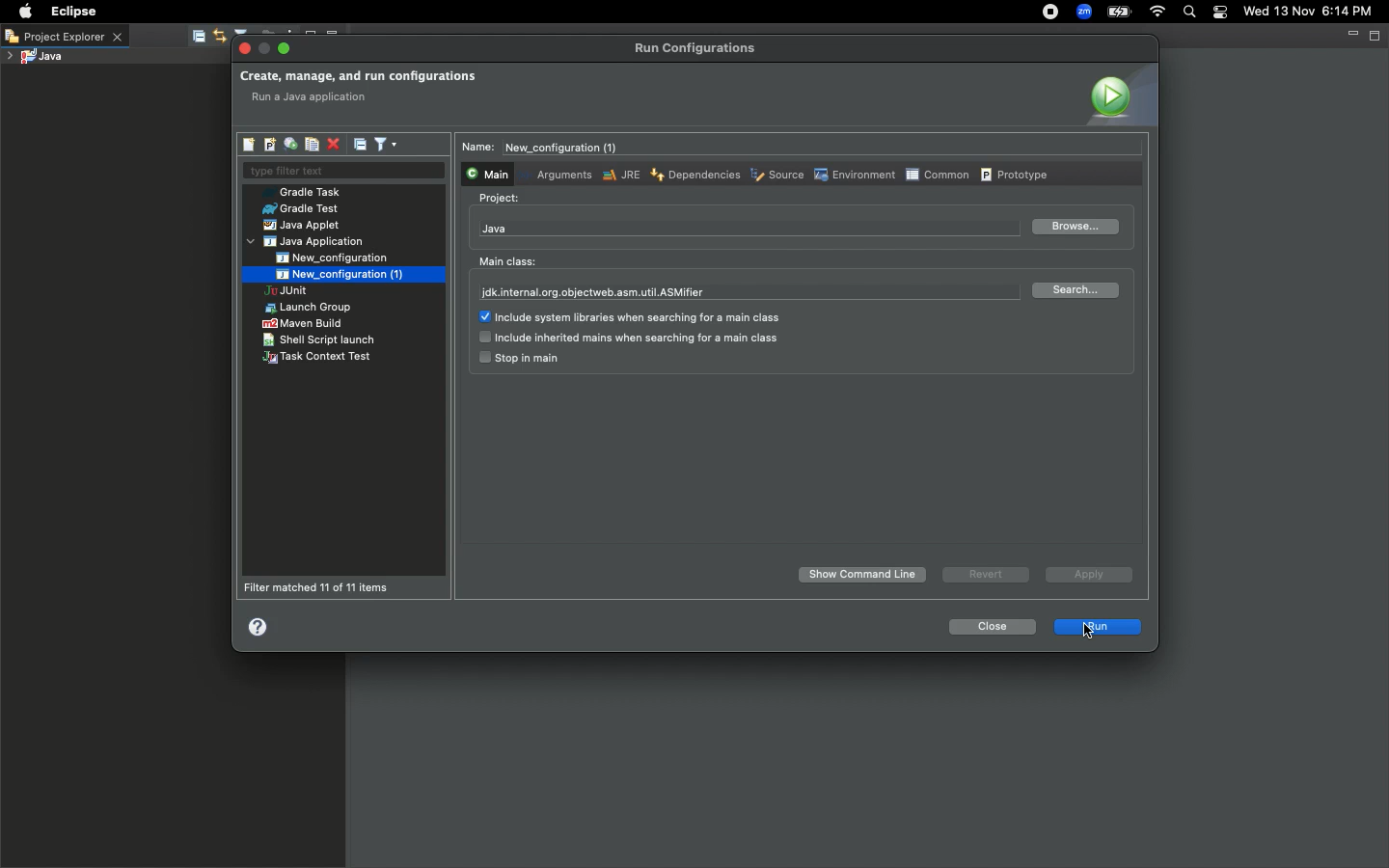 This screenshot has width=1389, height=868. Describe the element at coordinates (547, 148) in the screenshot. I see `Name: New_configuration_(1)` at that location.